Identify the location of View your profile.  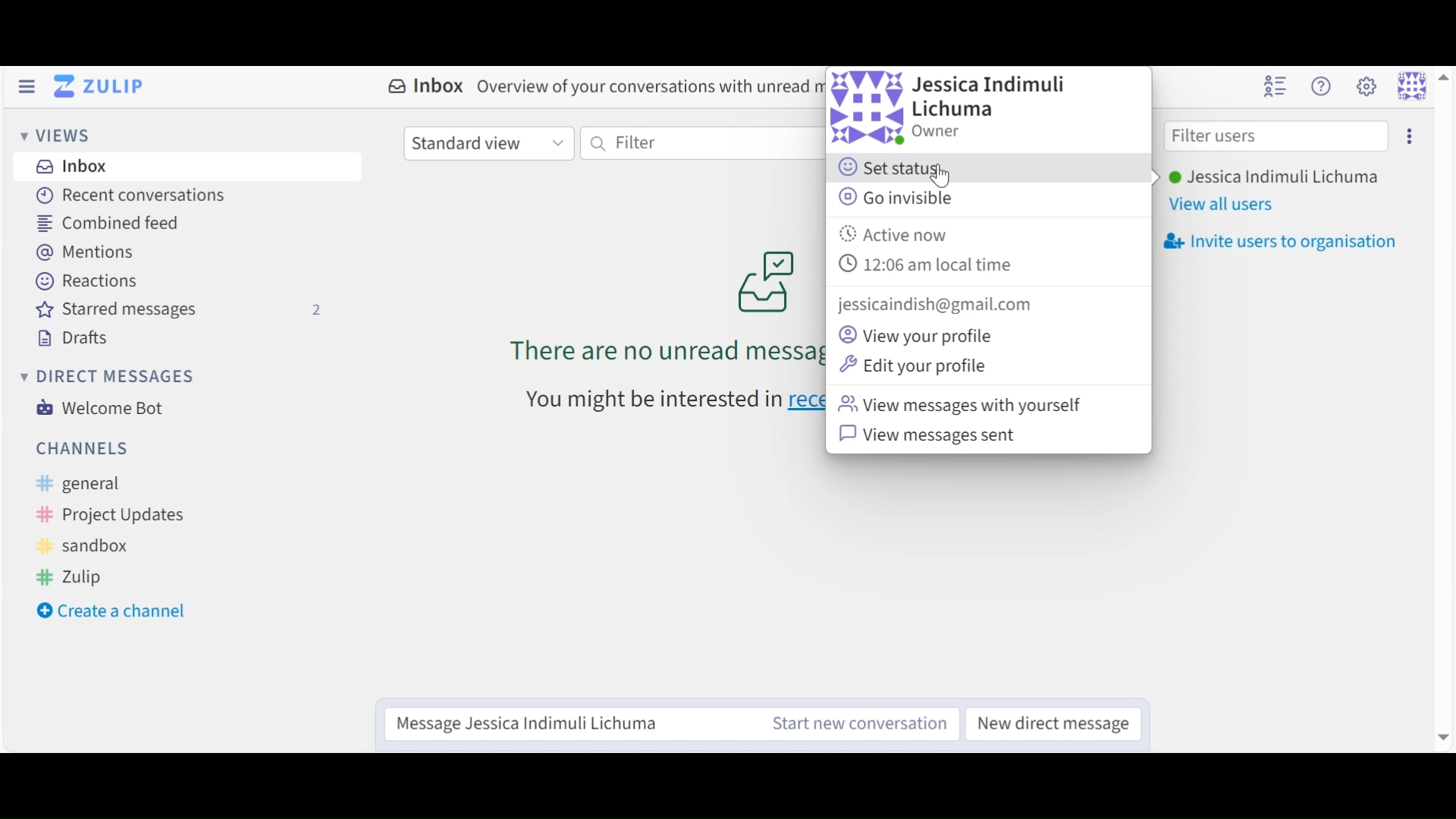
(920, 335).